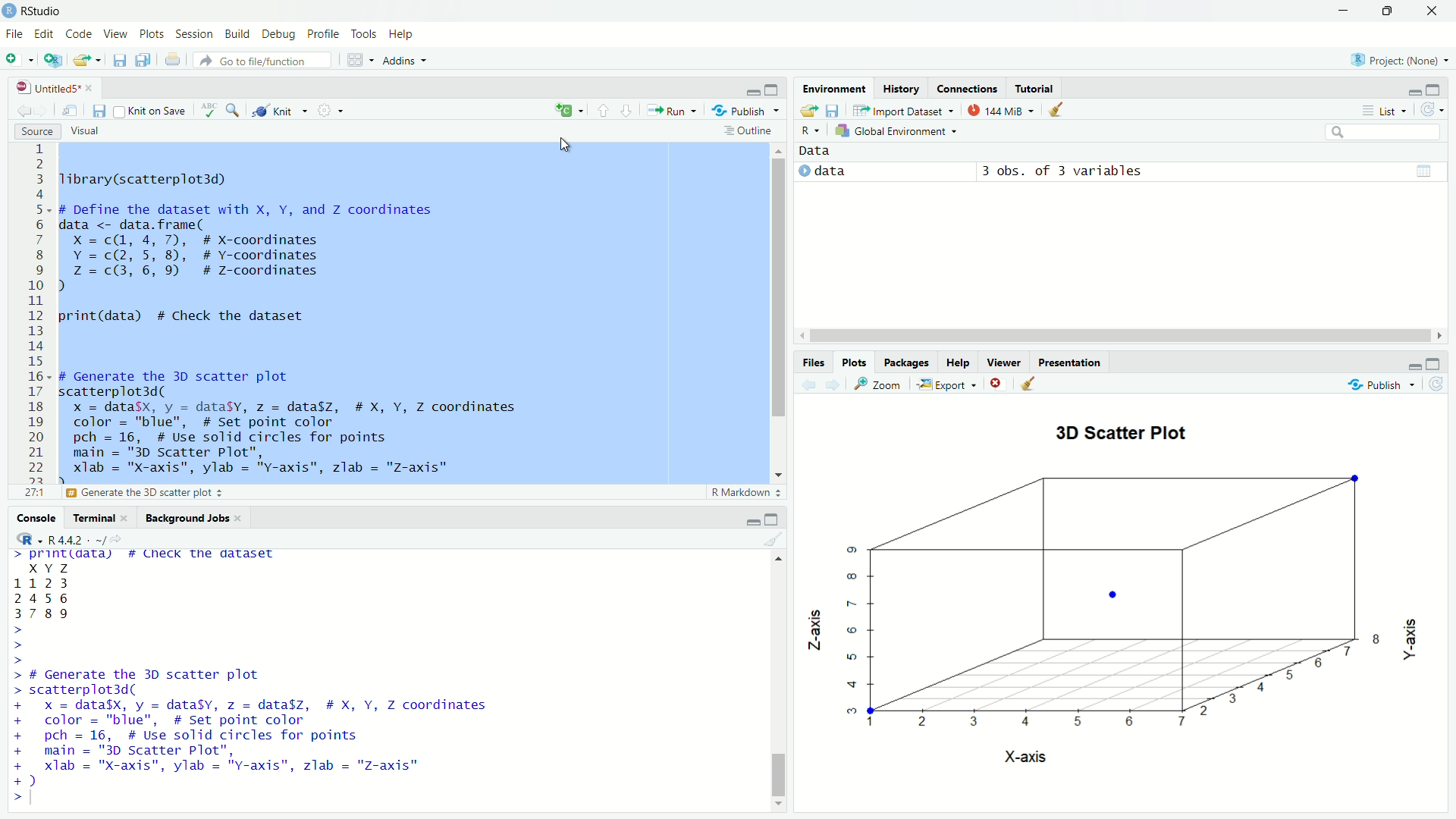  What do you see at coordinates (171, 62) in the screenshot?
I see `print the current file` at bounding box center [171, 62].